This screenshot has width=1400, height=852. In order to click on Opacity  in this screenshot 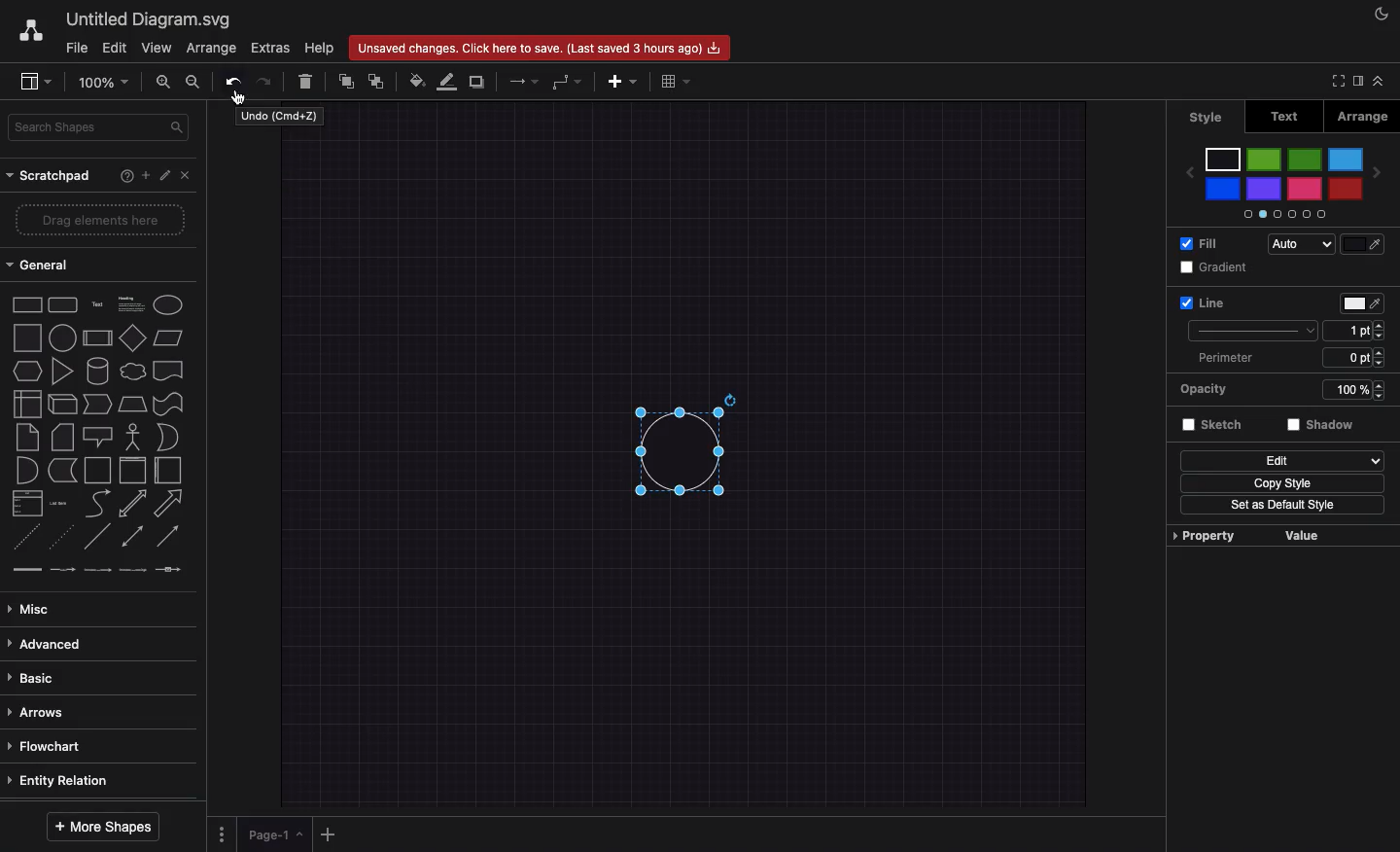, I will do `click(1288, 391)`.